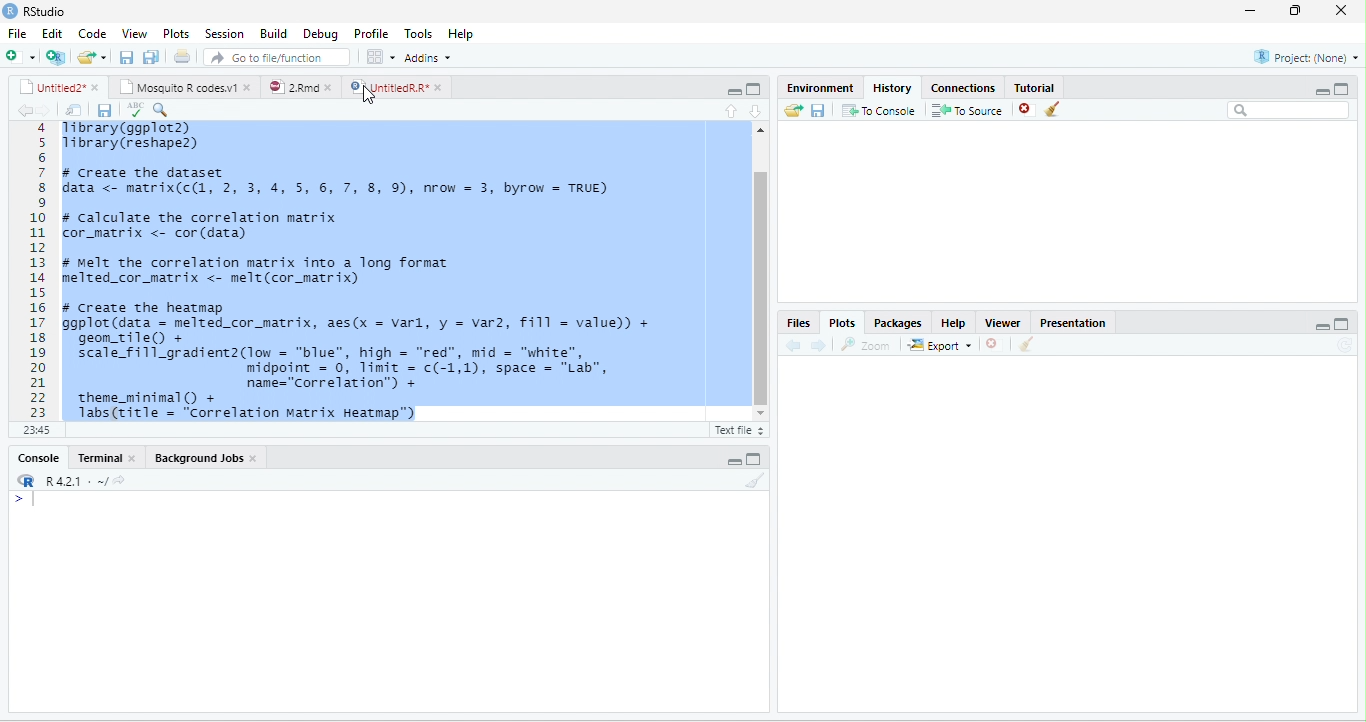 The image size is (1366, 722). What do you see at coordinates (735, 432) in the screenshot?
I see `R SCRIPT` at bounding box center [735, 432].